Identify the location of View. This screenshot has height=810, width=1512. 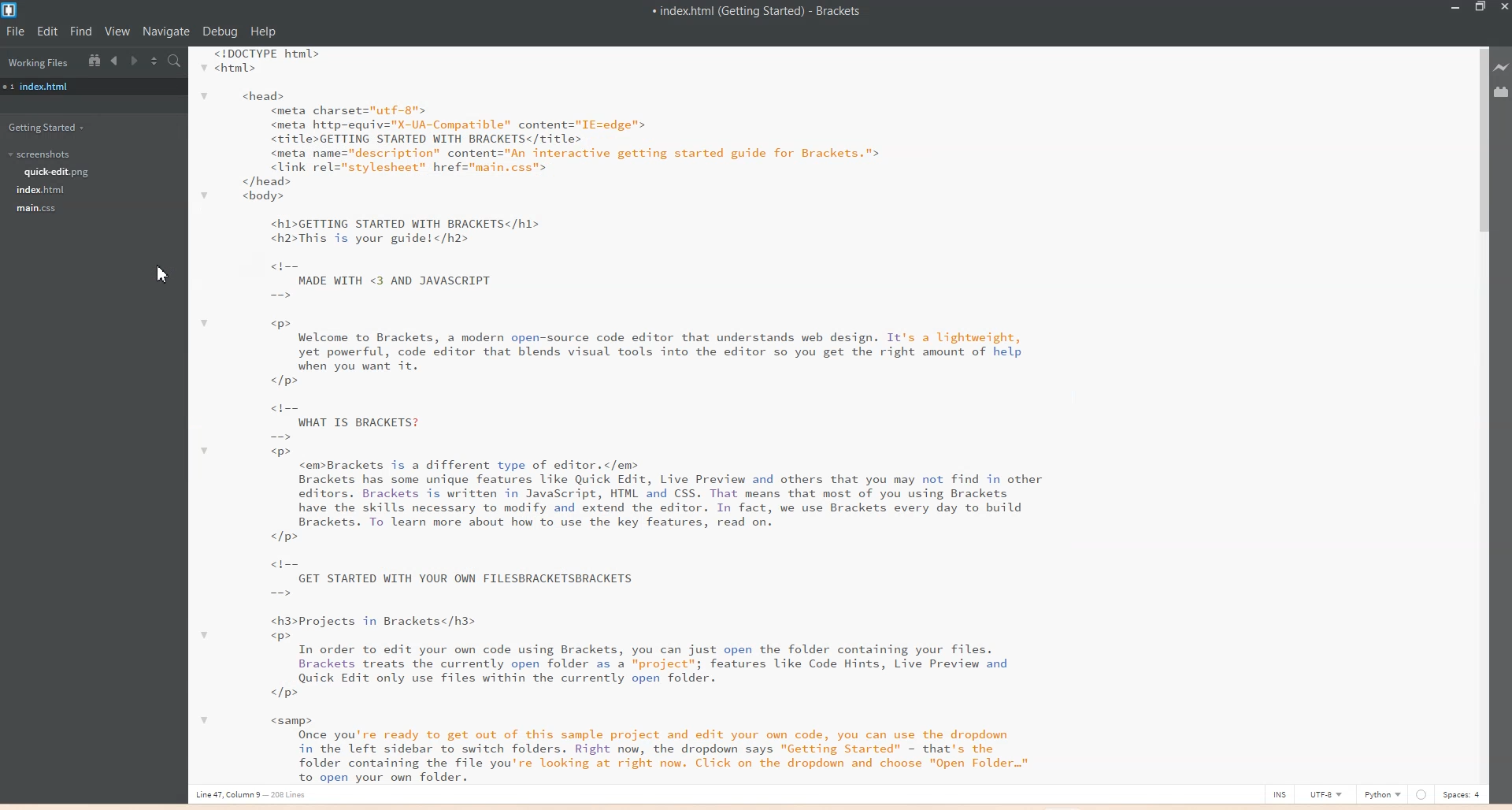
(117, 31).